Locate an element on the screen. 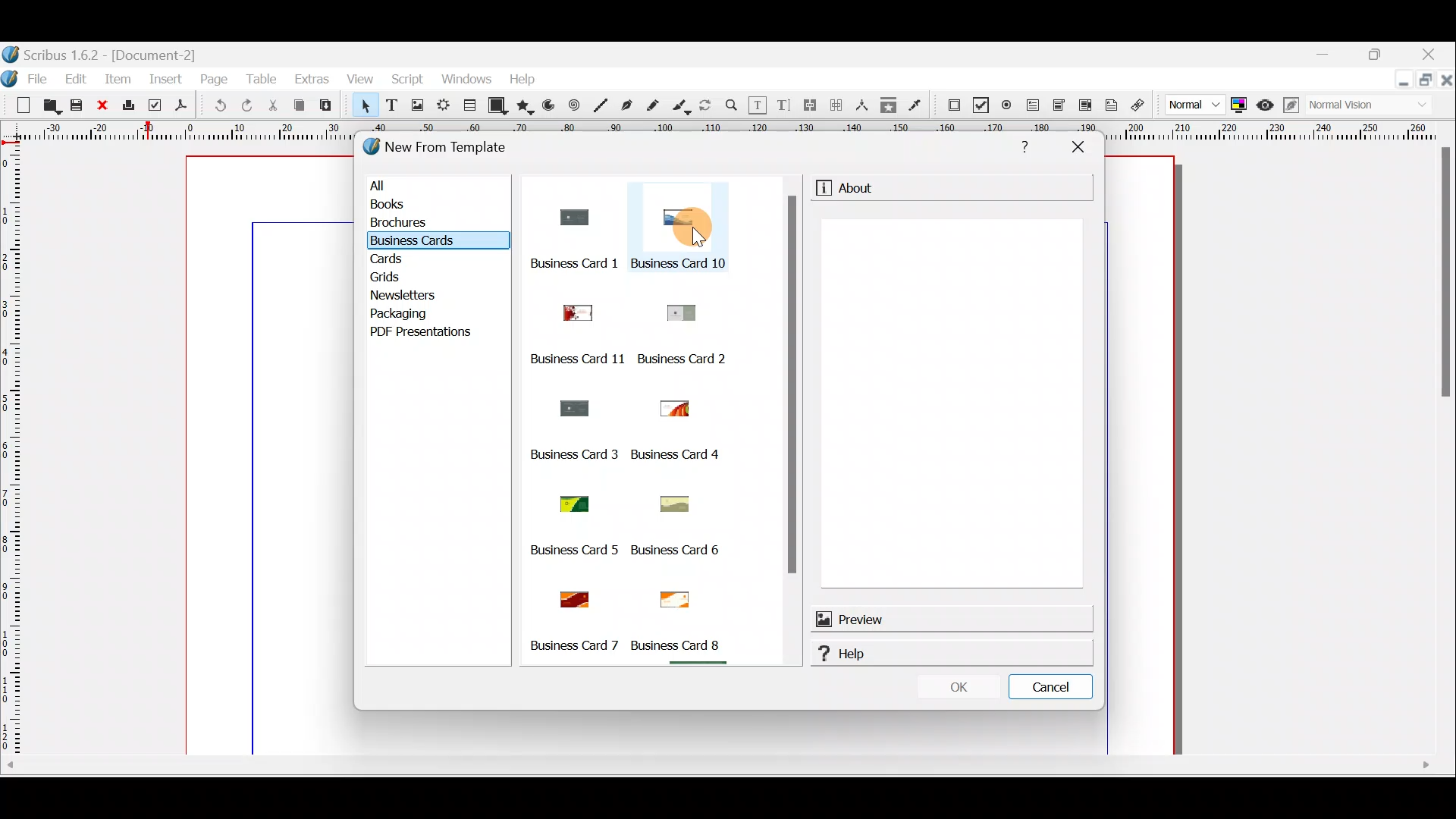  Canvas is located at coordinates (274, 455).